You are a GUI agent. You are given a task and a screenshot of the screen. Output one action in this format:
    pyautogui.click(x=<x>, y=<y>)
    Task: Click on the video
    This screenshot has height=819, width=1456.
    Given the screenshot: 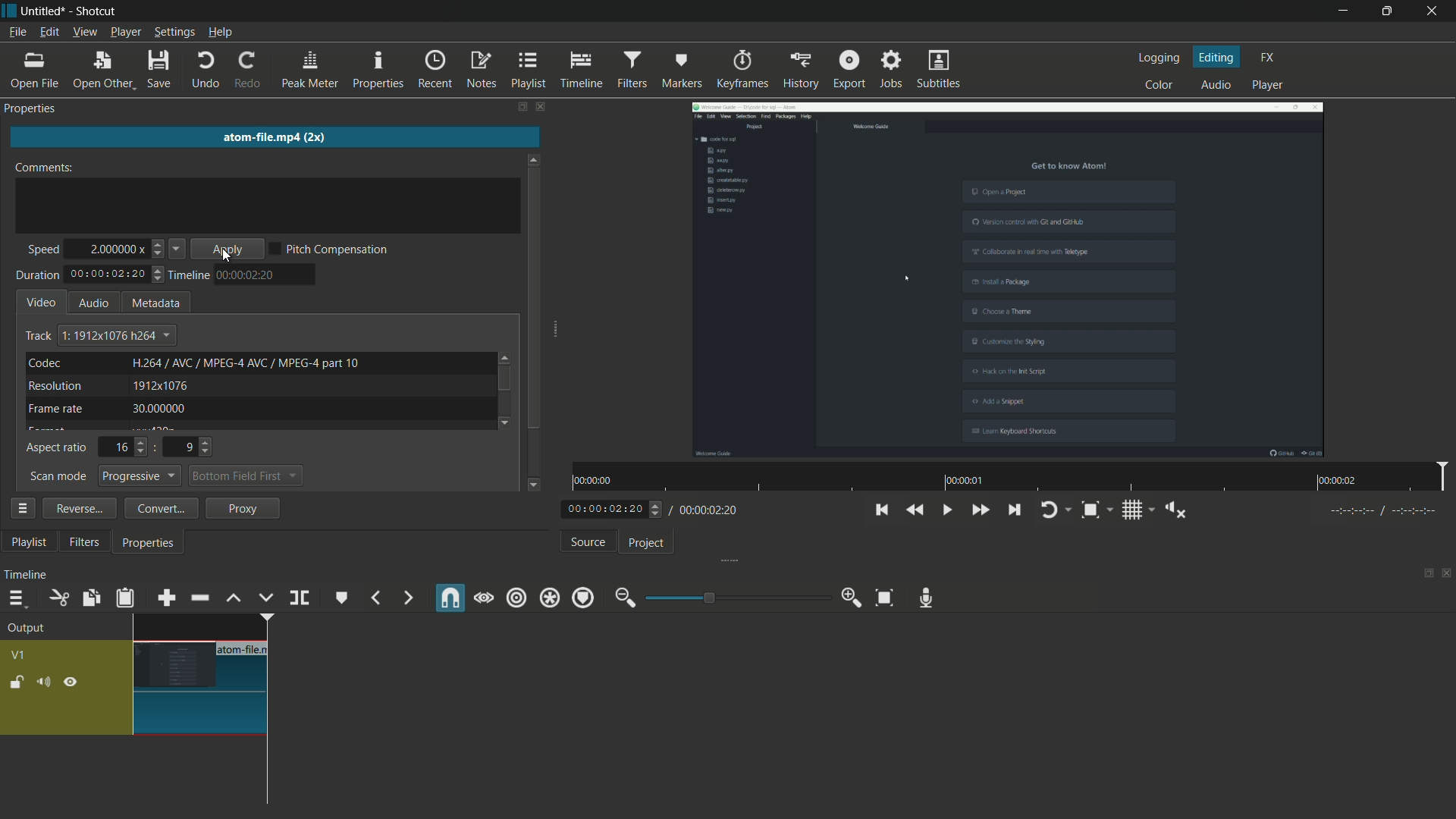 What is the action you would take?
    pyautogui.click(x=42, y=302)
    